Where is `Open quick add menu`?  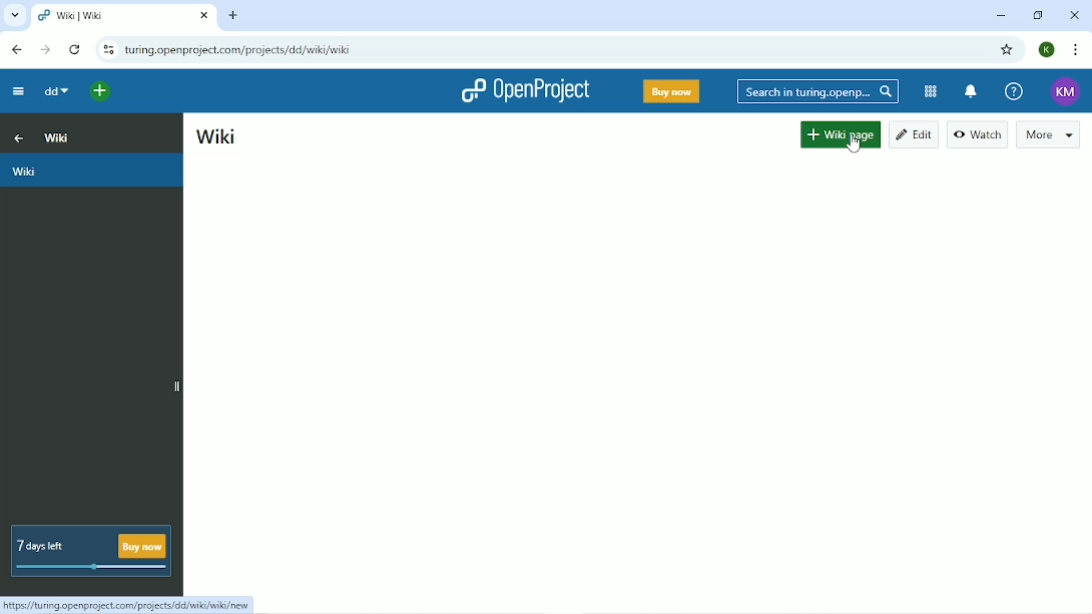 Open quick add menu is located at coordinates (101, 93).